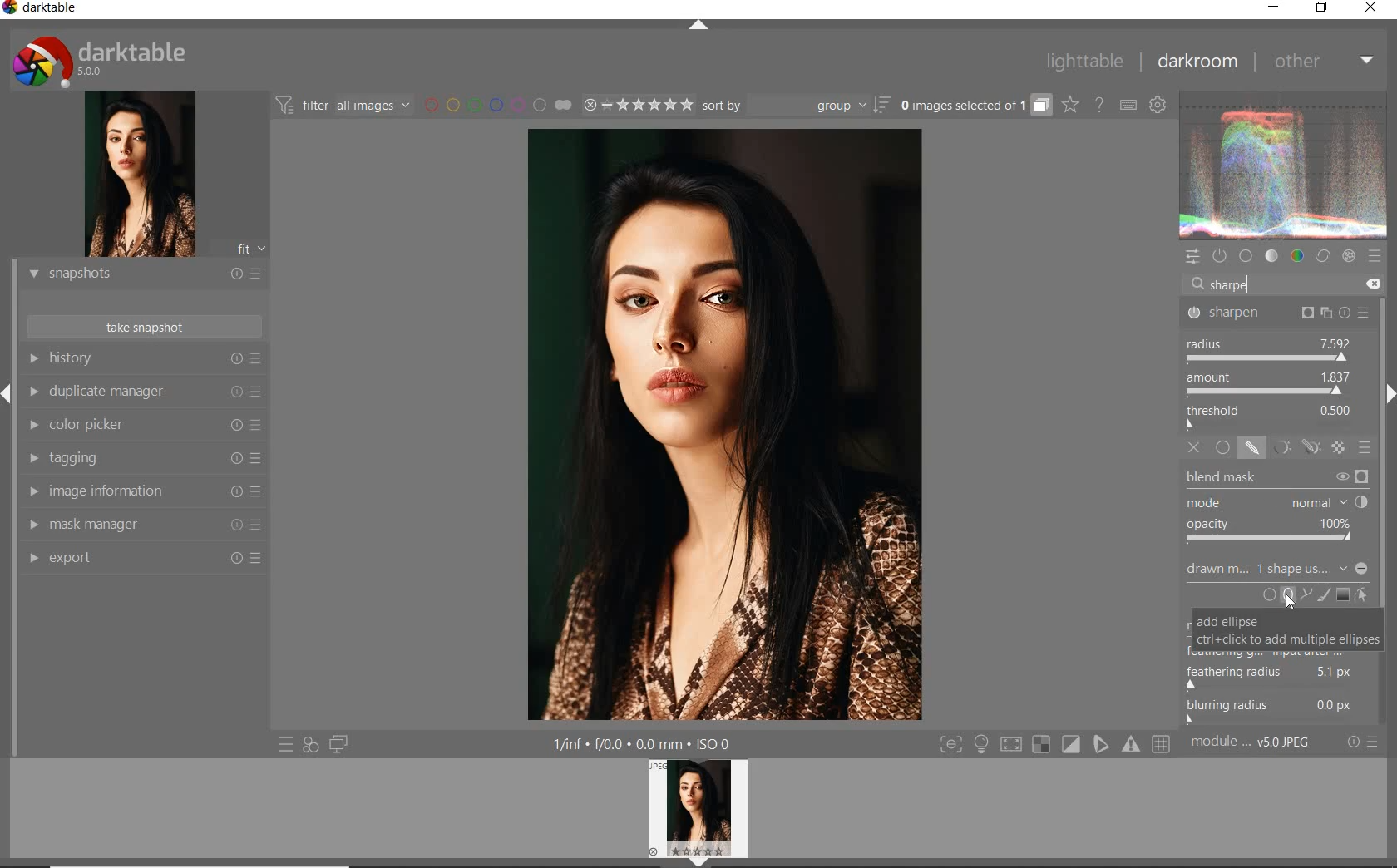 Image resolution: width=1397 pixels, height=868 pixels. Describe the element at coordinates (1279, 570) in the screenshot. I see `DRAWN MASK` at that location.